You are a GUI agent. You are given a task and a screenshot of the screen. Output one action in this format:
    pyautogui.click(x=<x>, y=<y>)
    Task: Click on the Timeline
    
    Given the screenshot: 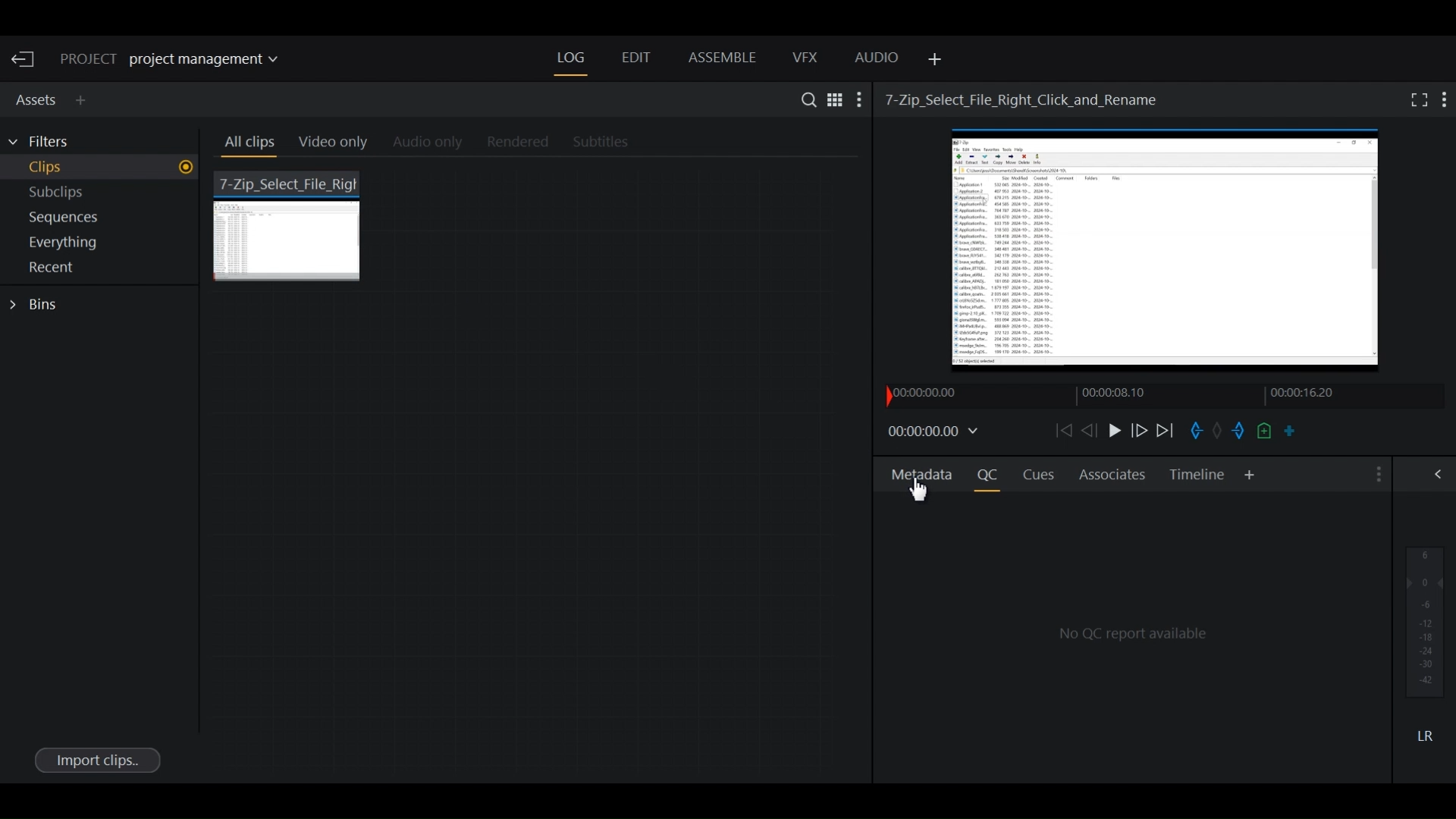 What is the action you would take?
    pyautogui.click(x=1197, y=475)
    